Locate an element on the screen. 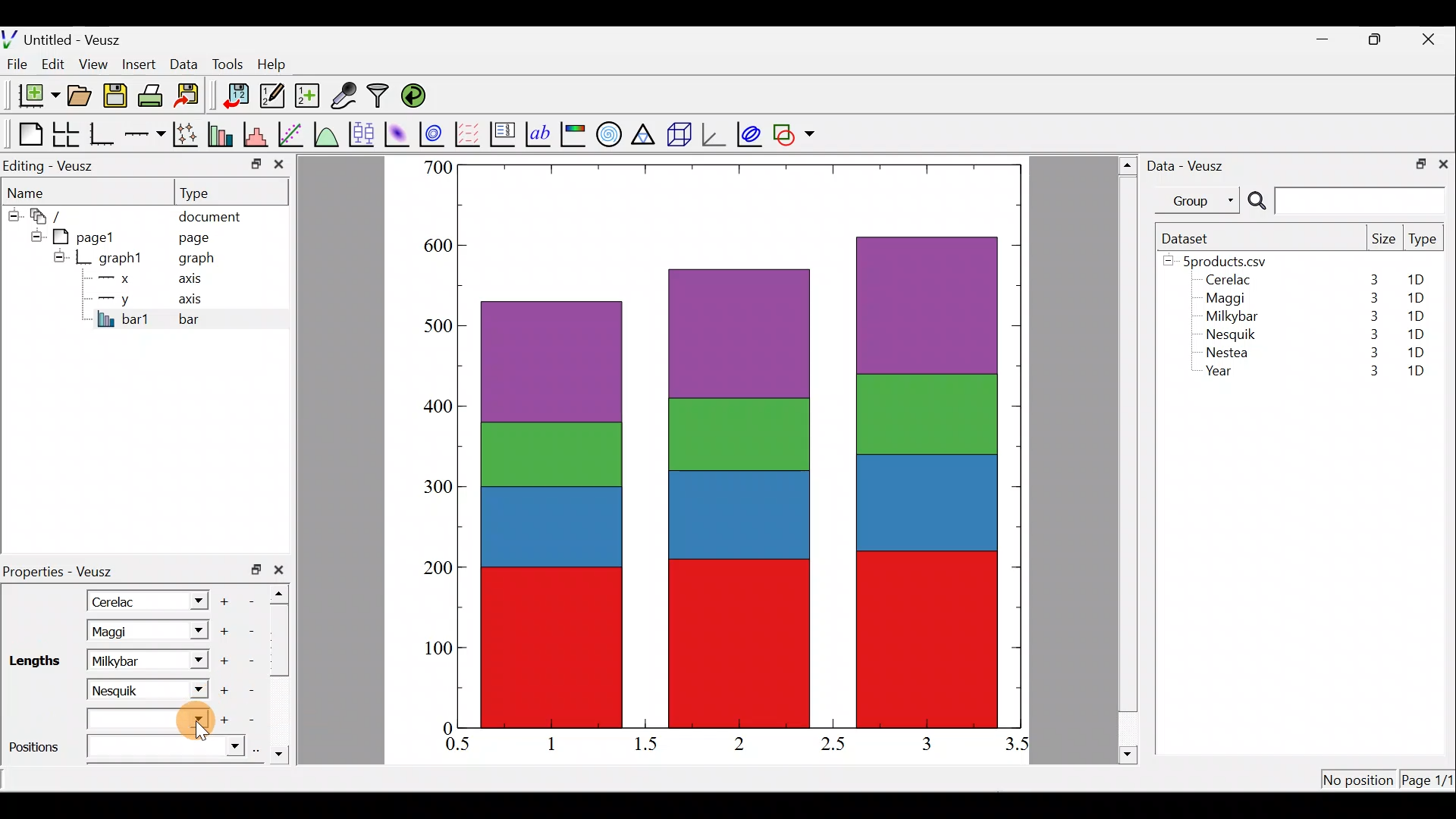 The image size is (1456, 819). graph is located at coordinates (196, 260).